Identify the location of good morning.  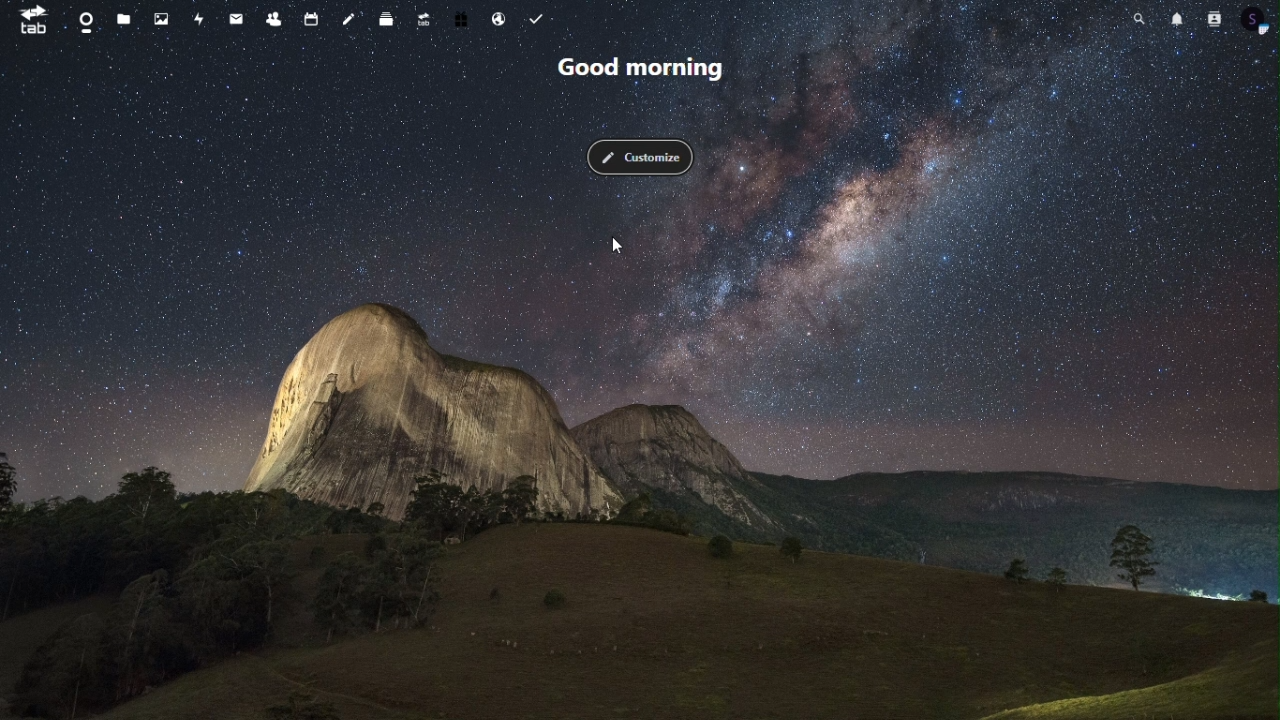
(642, 70).